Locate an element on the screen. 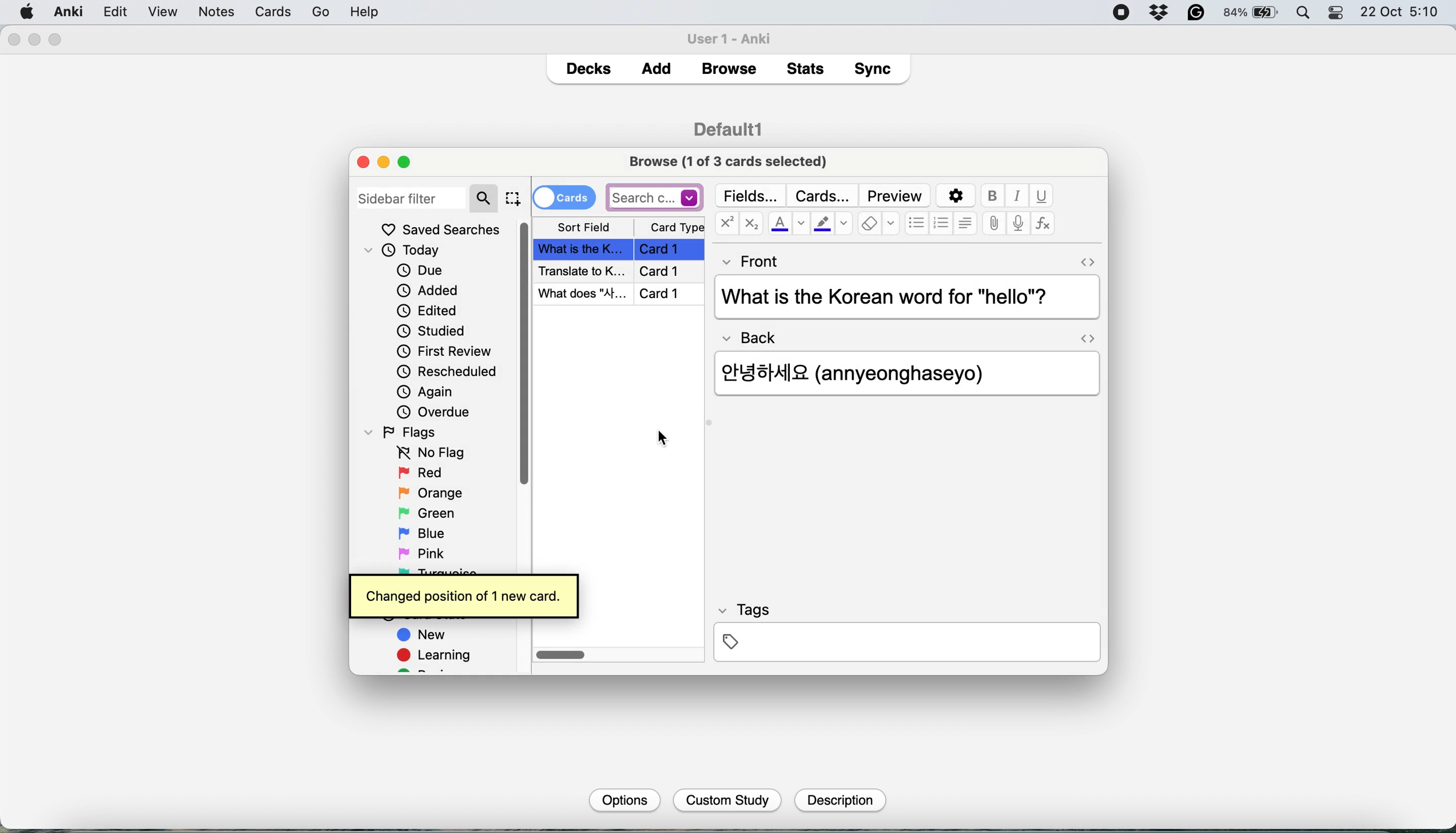  sync is located at coordinates (876, 71).